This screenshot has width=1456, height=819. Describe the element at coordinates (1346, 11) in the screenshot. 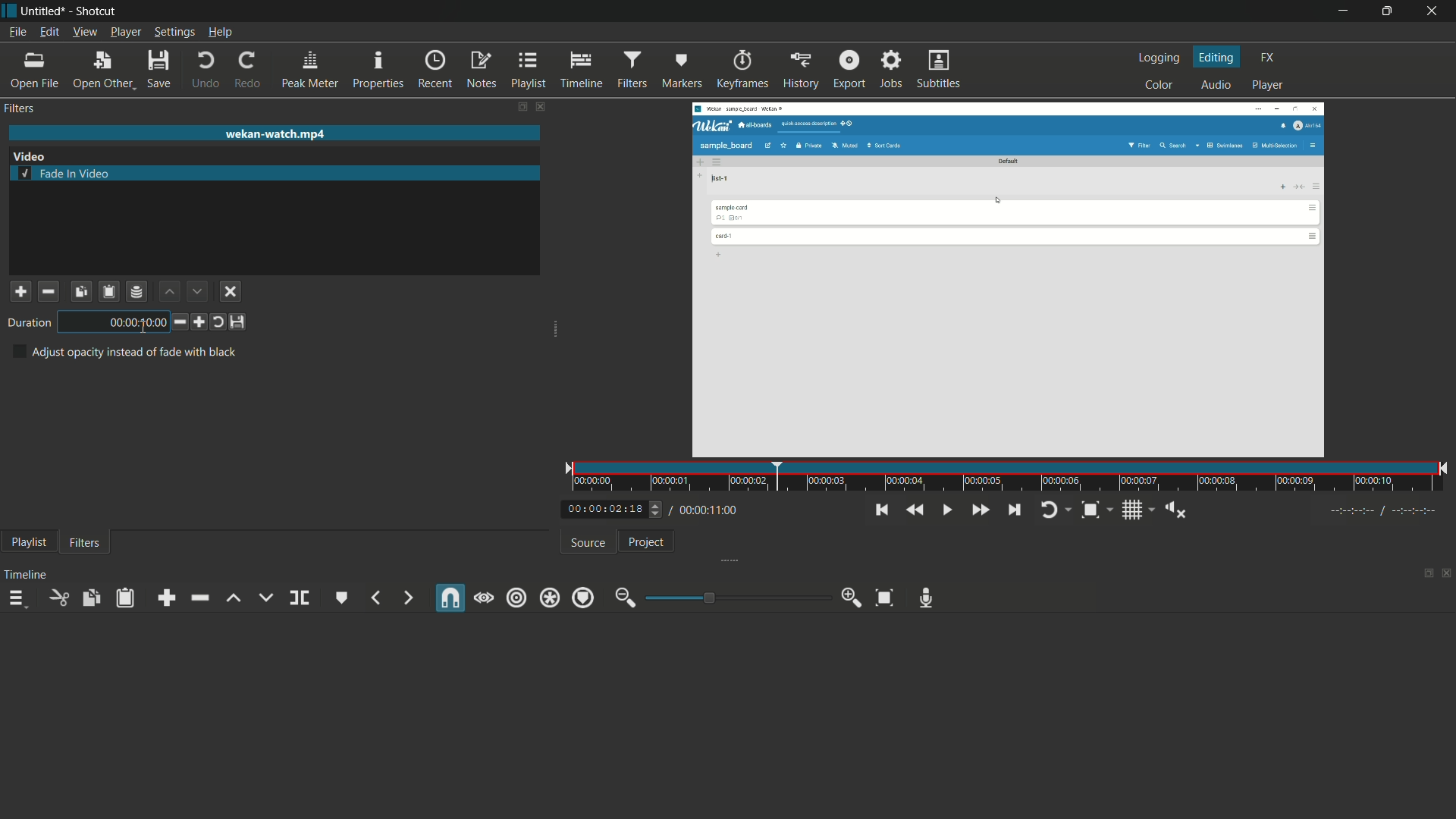

I see `minimize` at that location.